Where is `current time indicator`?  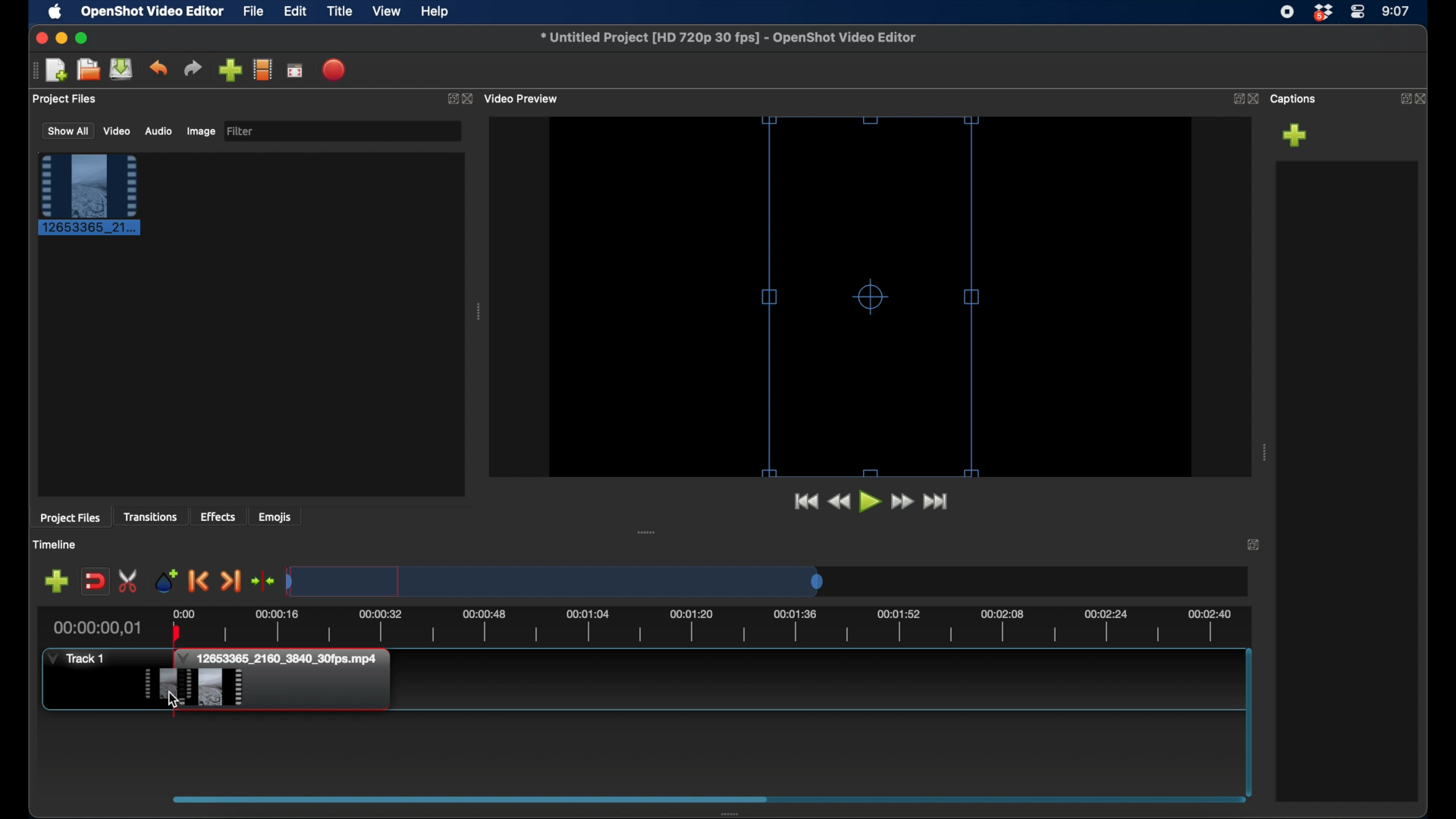 current time indicator is located at coordinates (96, 629).